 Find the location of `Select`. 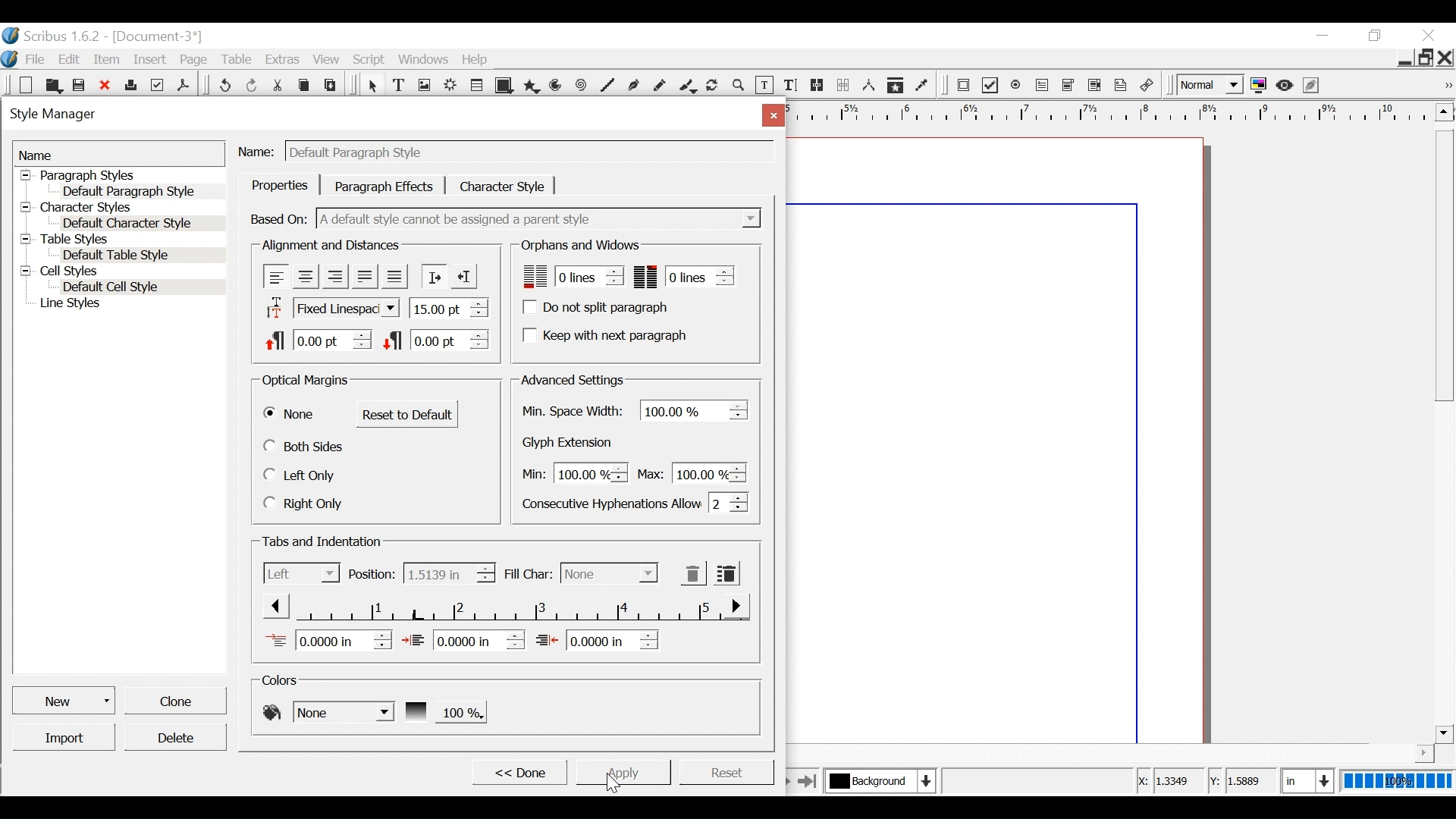

Select is located at coordinates (609, 573).